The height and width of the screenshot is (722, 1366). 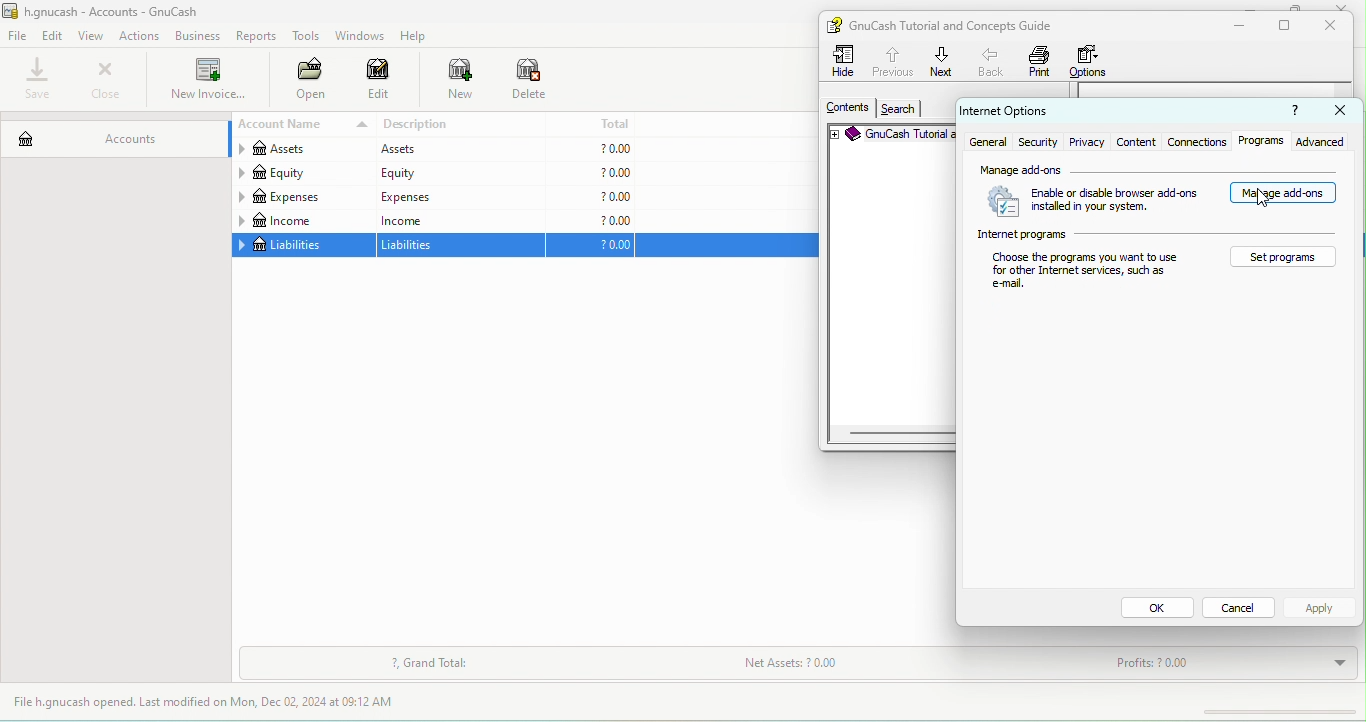 What do you see at coordinates (112, 134) in the screenshot?
I see `accounts` at bounding box center [112, 134].